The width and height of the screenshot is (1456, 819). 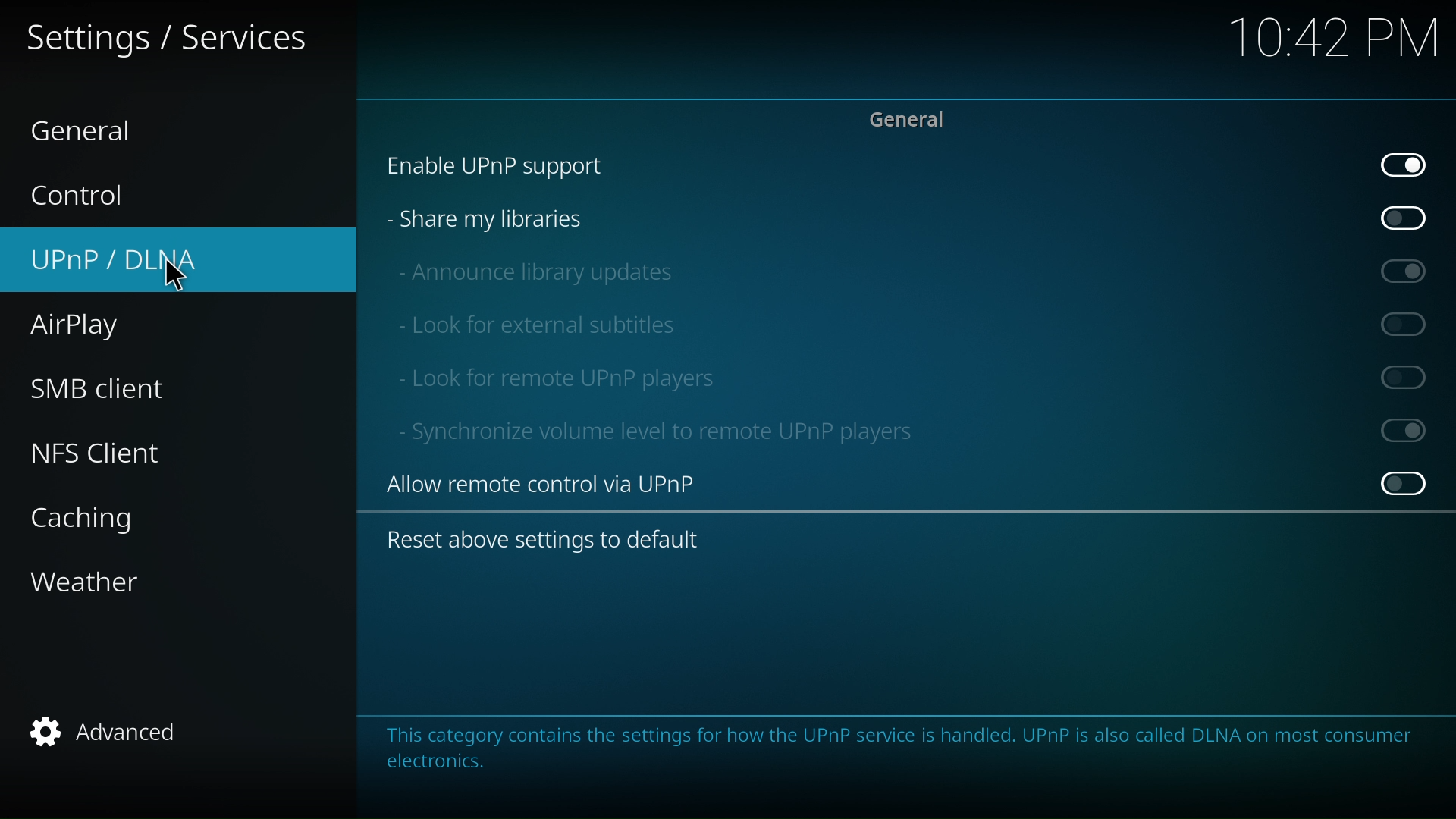 I want to click on enable UPnP support, so click(x=902, y=165).